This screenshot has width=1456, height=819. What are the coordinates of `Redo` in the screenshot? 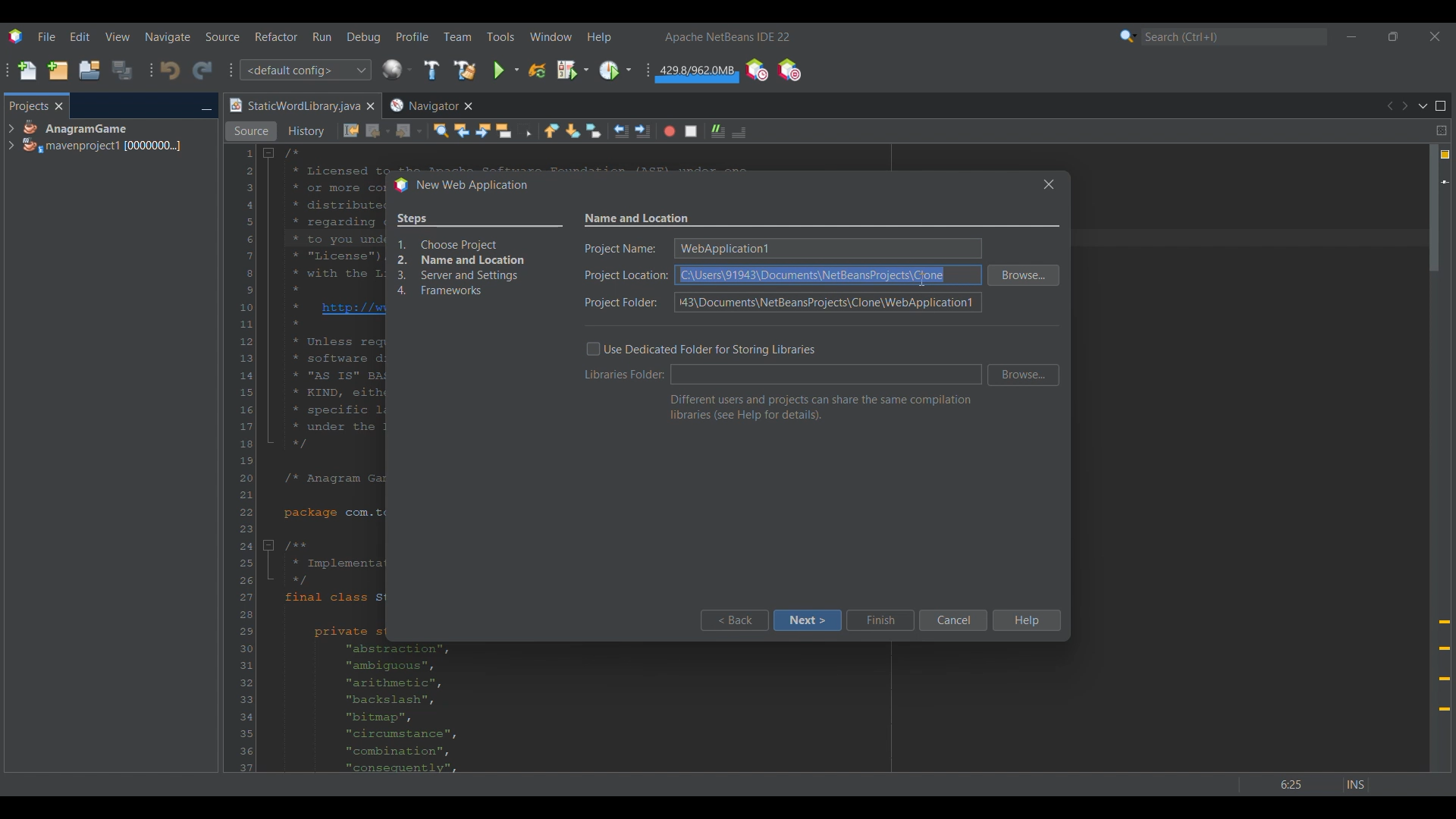 It's located at (202, 70).